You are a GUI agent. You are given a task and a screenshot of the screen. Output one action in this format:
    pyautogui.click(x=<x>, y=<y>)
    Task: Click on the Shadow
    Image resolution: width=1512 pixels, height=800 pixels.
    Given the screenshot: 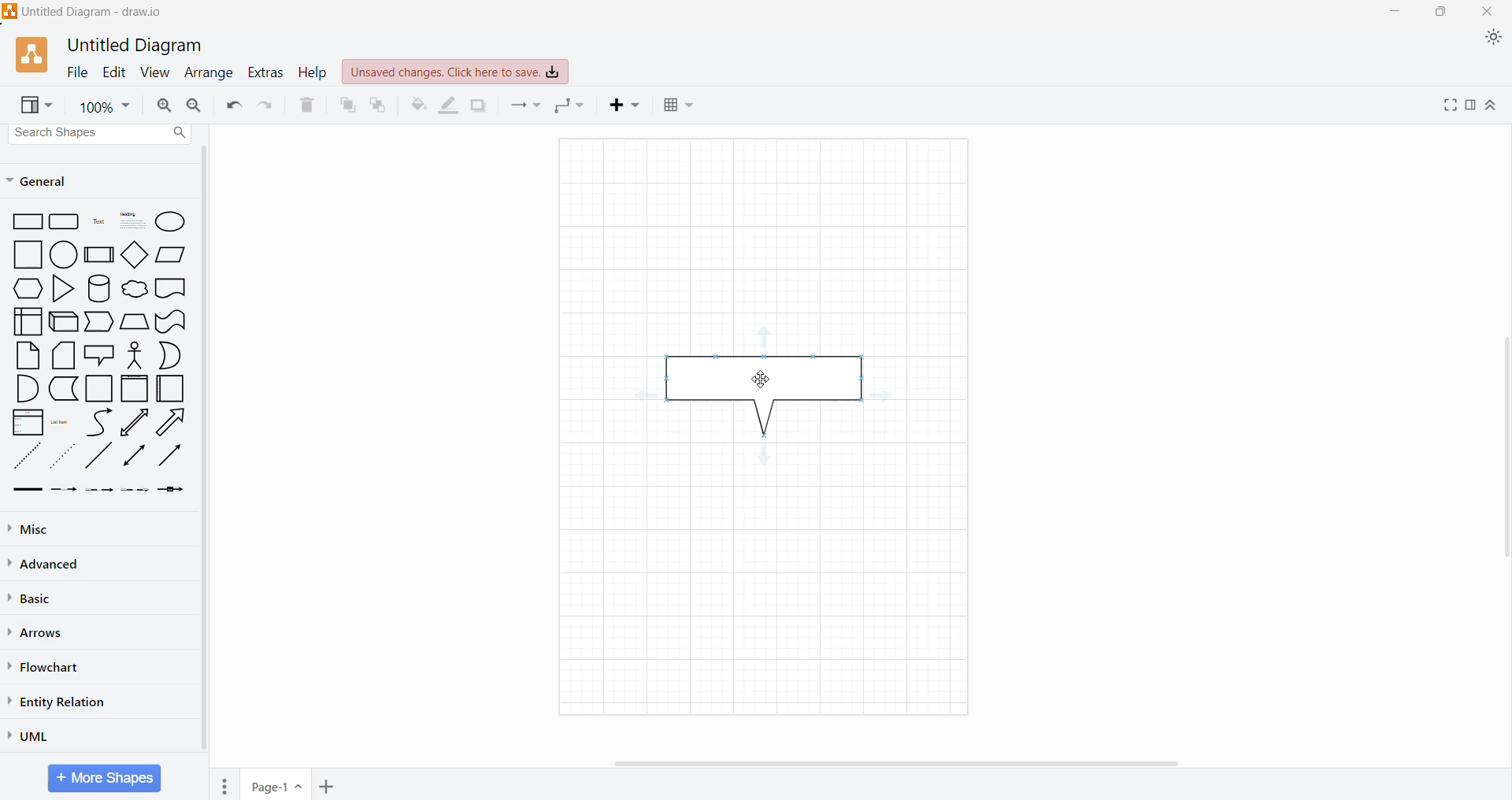 What is the action you would take?
    pyautogui.click(x=478, y=106)
    